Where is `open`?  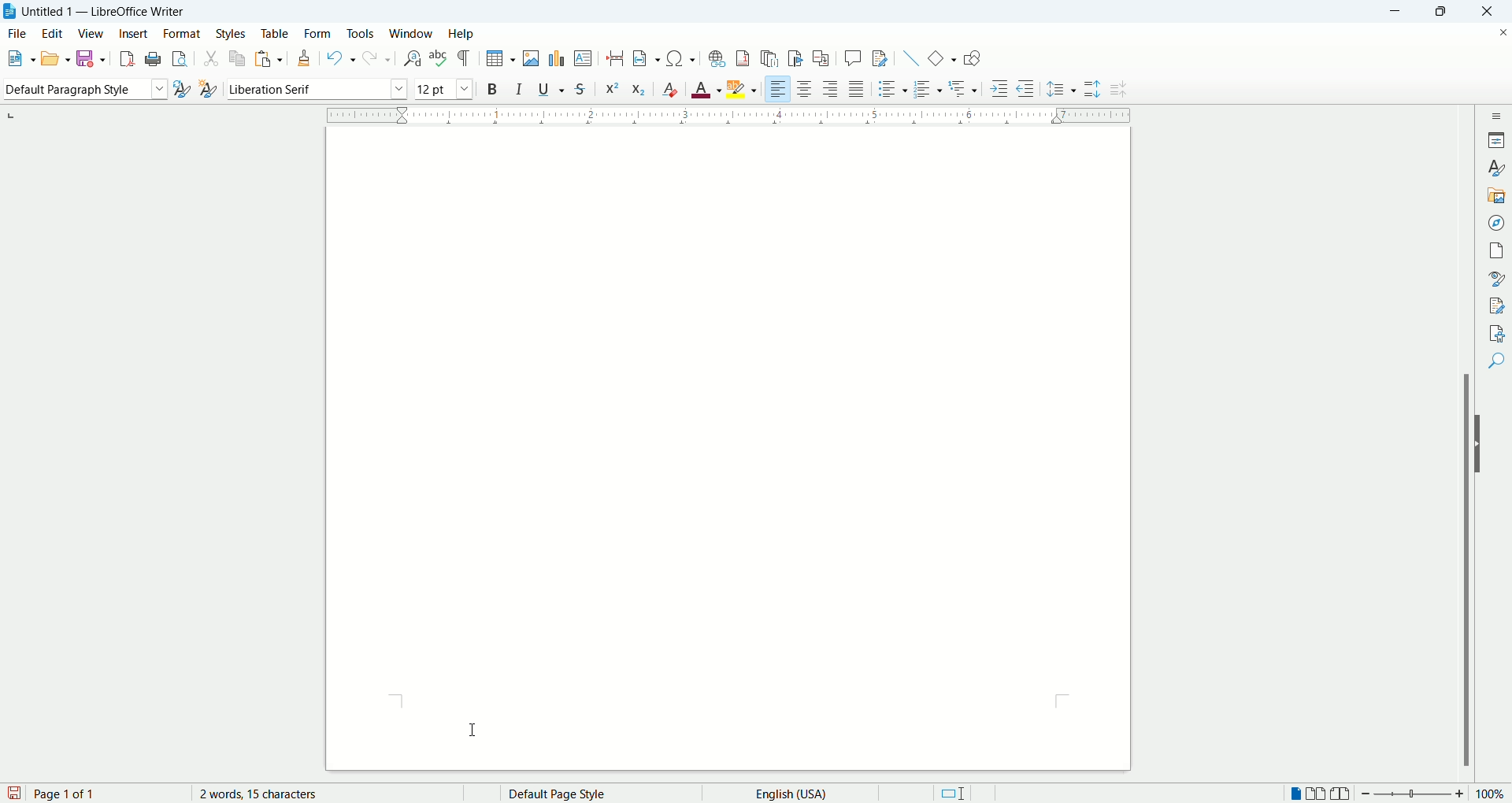
open is located at coordinates (54, 57).